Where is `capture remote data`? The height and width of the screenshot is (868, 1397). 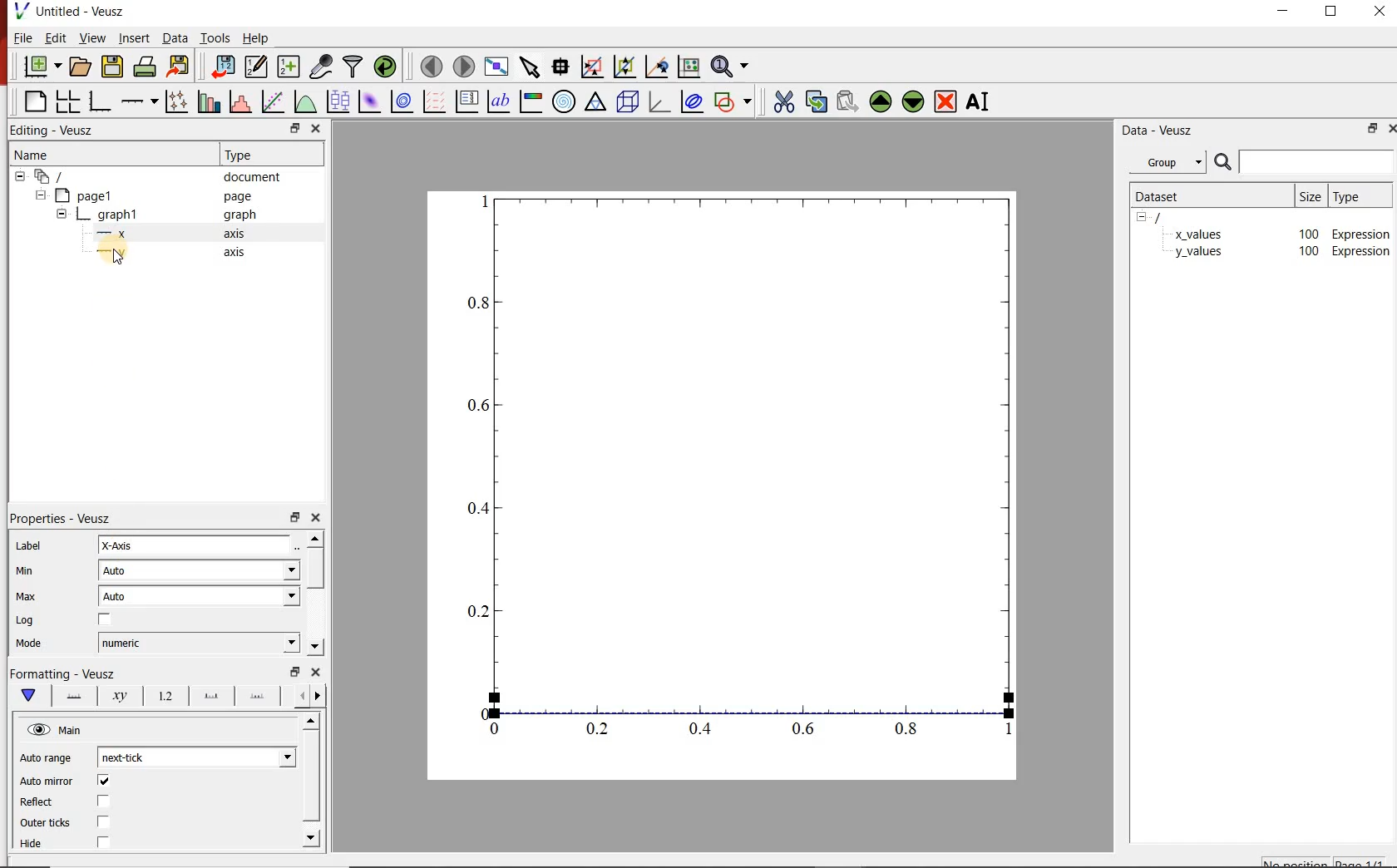 capture remote data is located at coordinates (321, 66).